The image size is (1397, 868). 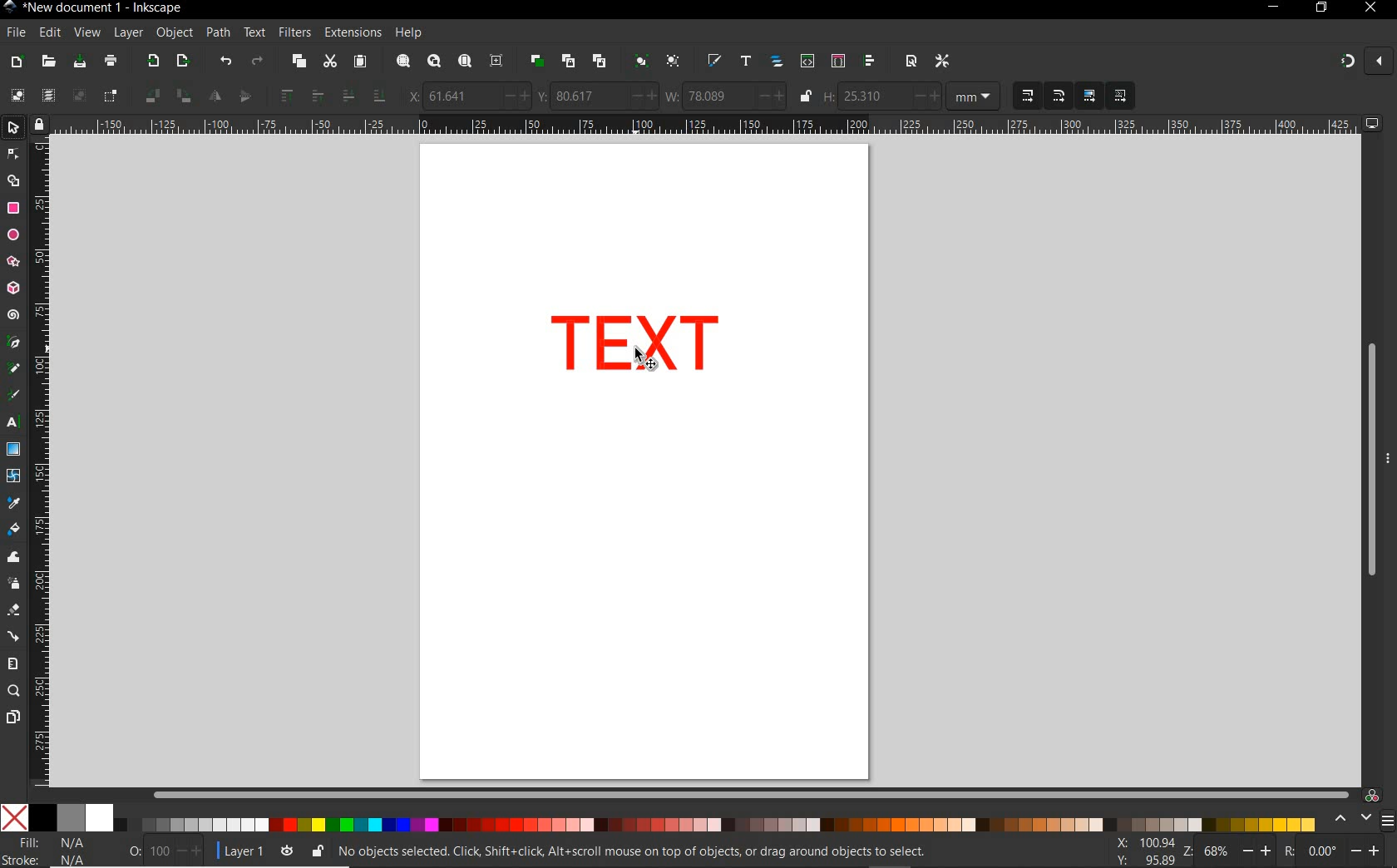 I want to click on ellipse tool, so click(x=12, y=234).